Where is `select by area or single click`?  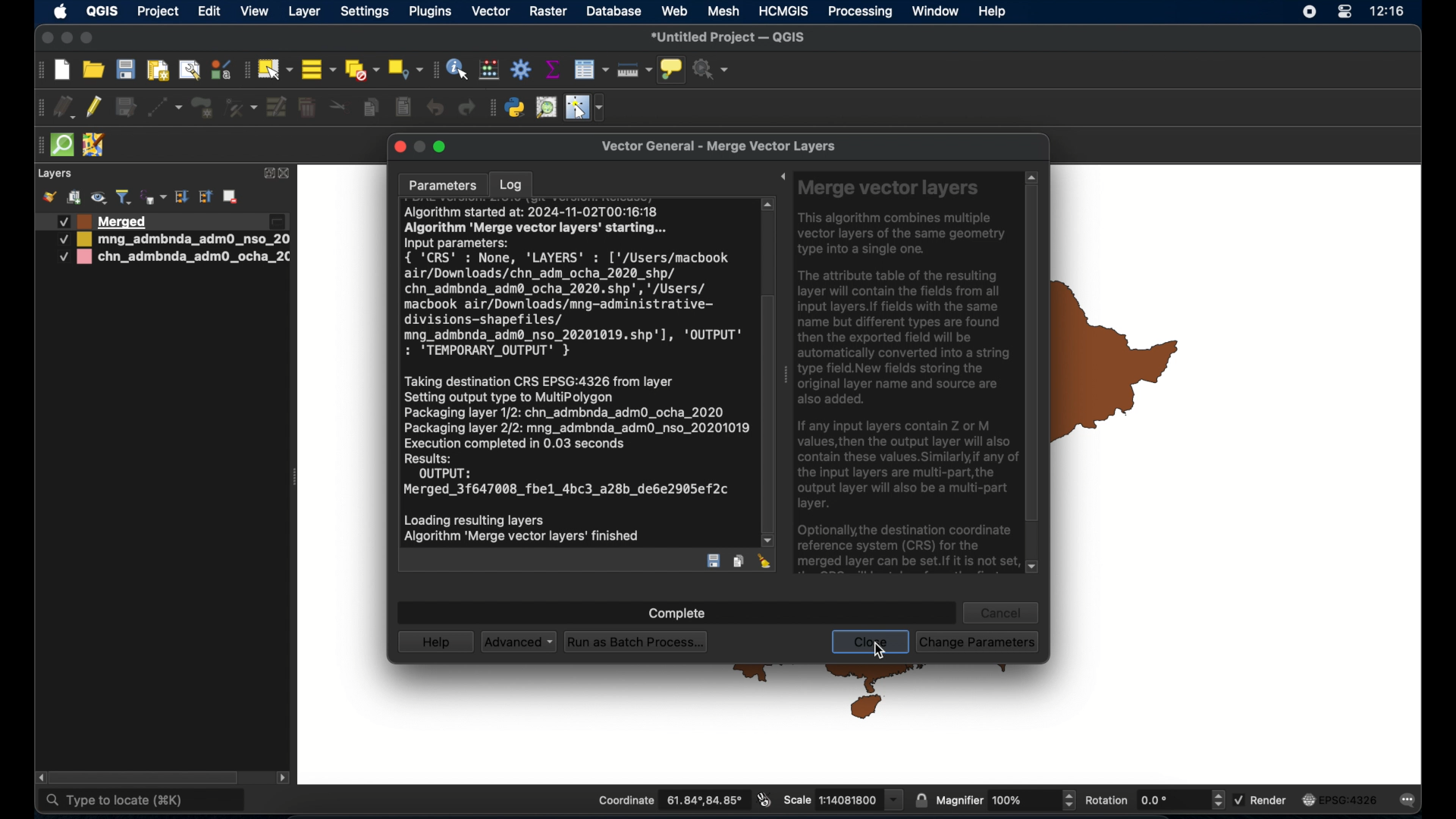
select by area or single click is located at coordinates (277, 67).